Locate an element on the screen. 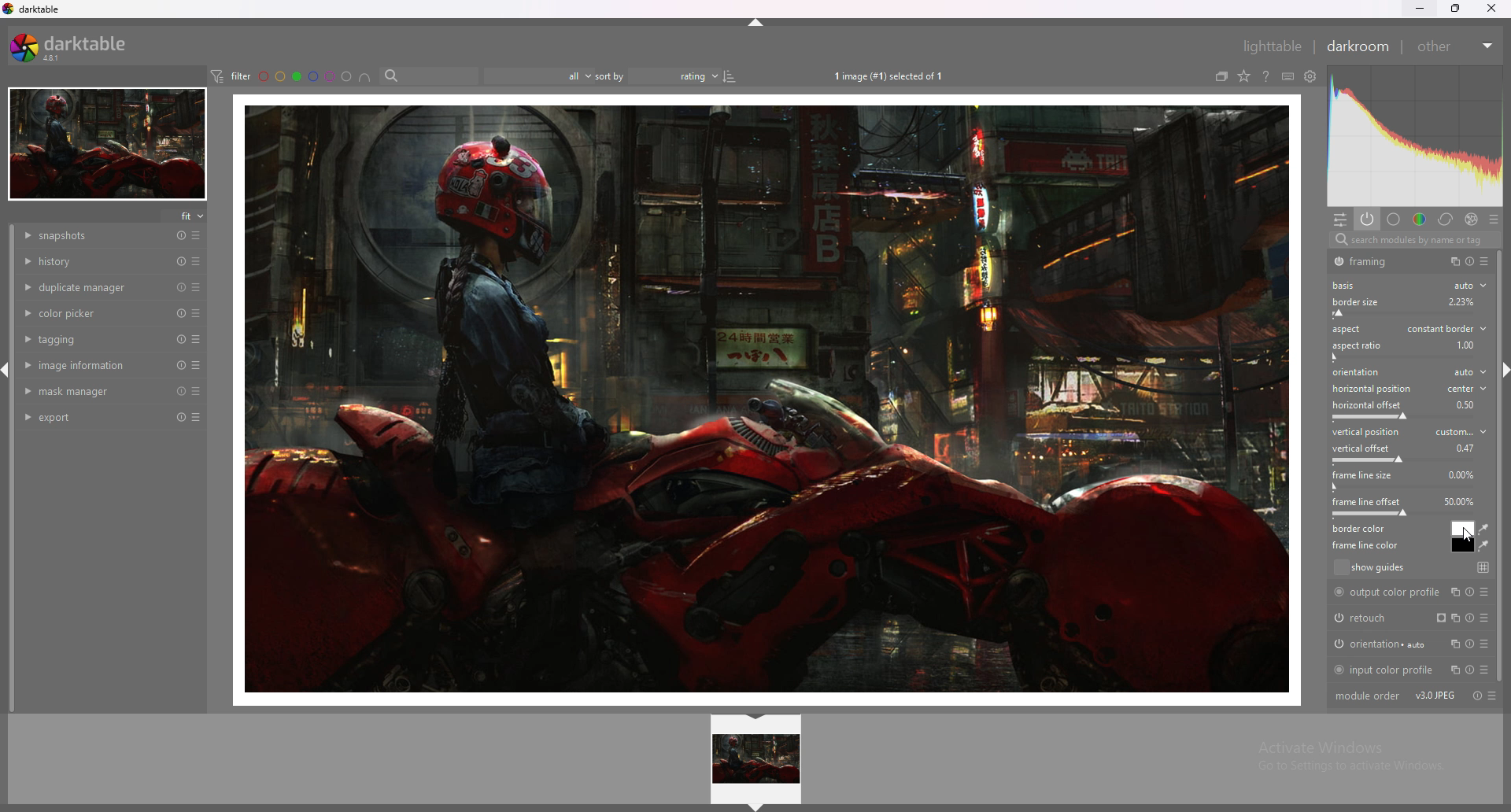 This screenshot has width=1511, height=812. horizontal offset is located at coordinates (1369, 405).